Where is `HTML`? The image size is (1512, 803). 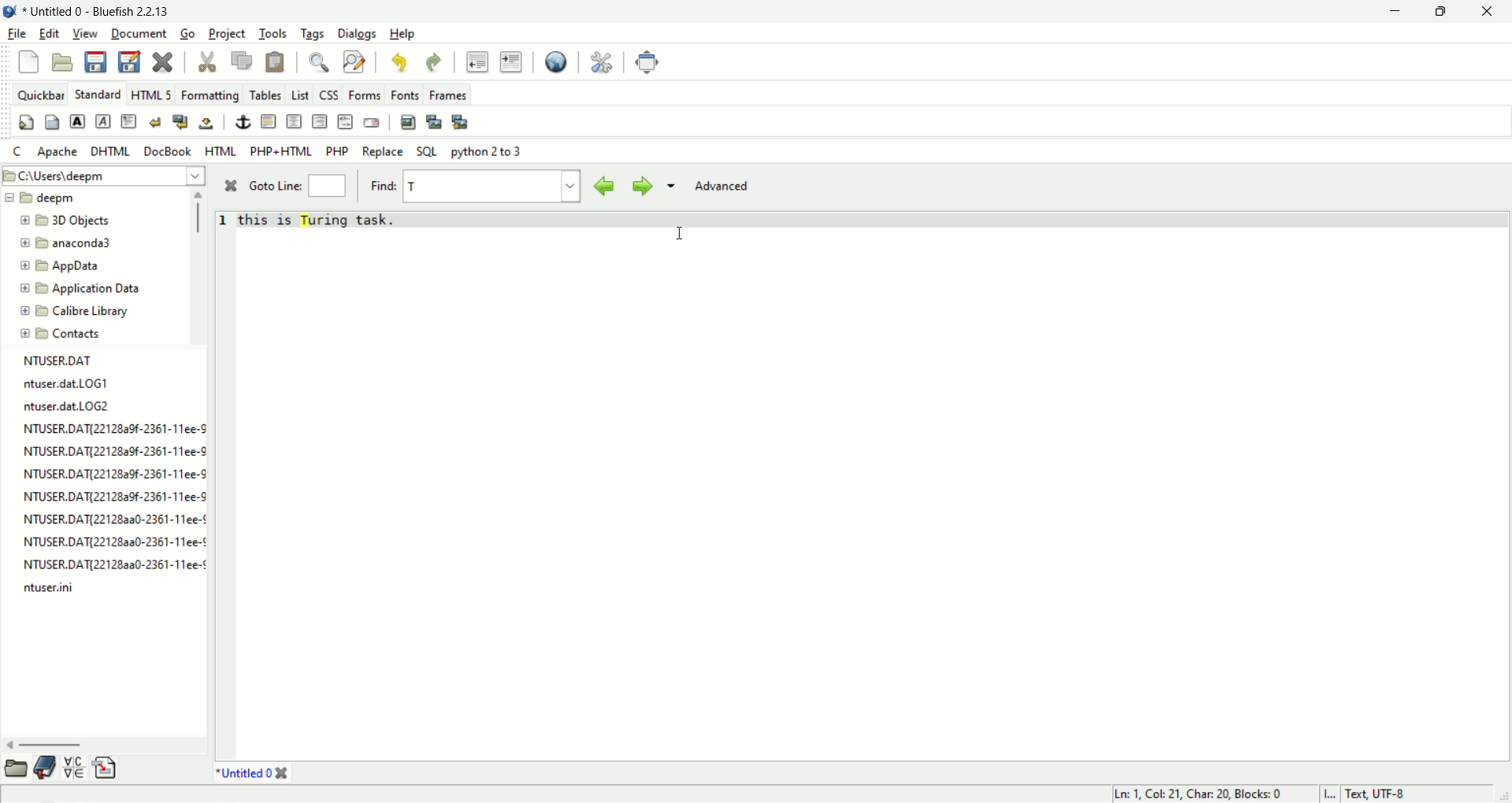 HTML is located at coordinates (222, 150).